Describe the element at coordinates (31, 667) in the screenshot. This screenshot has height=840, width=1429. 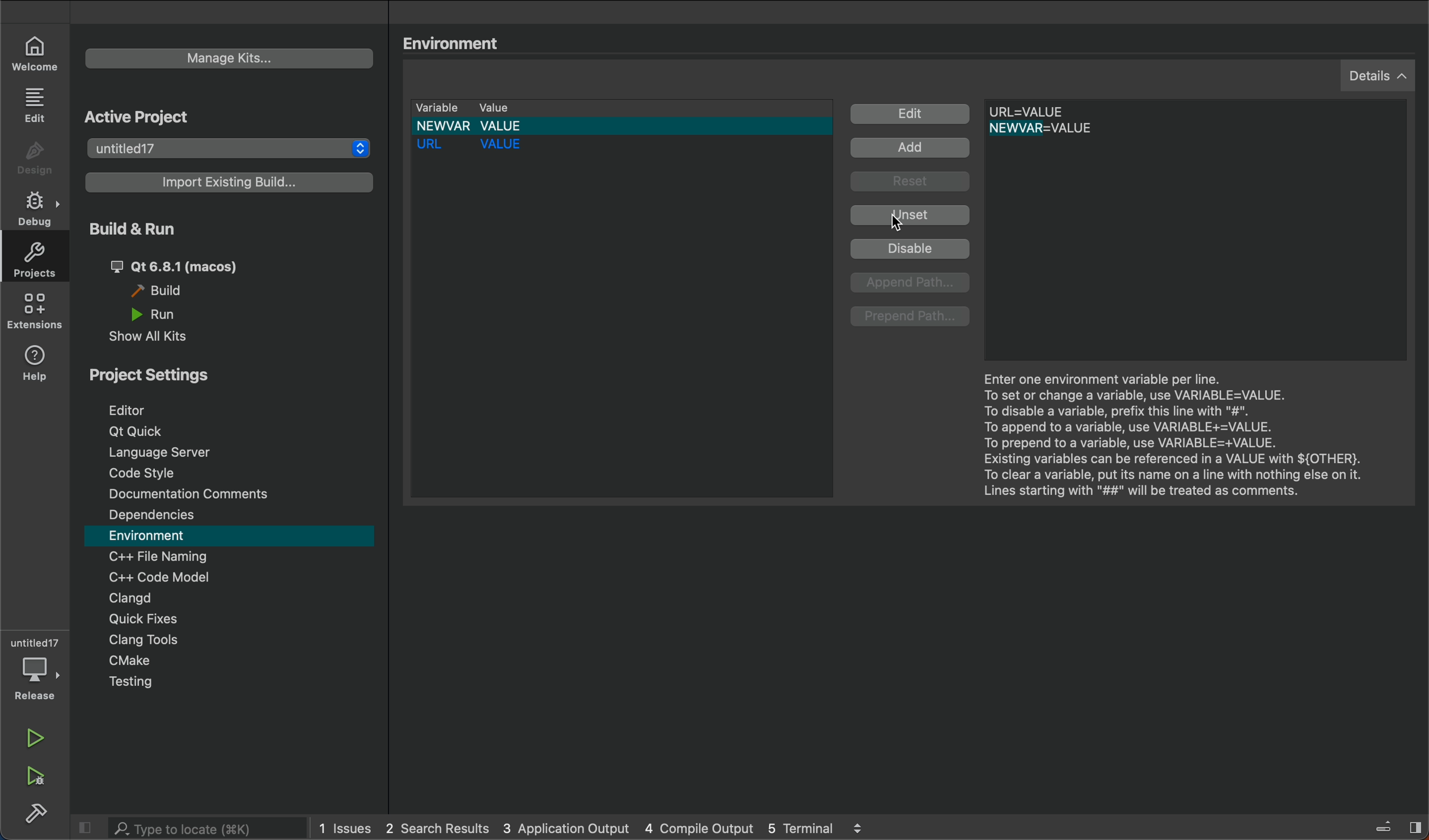
I see `debugger` at that location.